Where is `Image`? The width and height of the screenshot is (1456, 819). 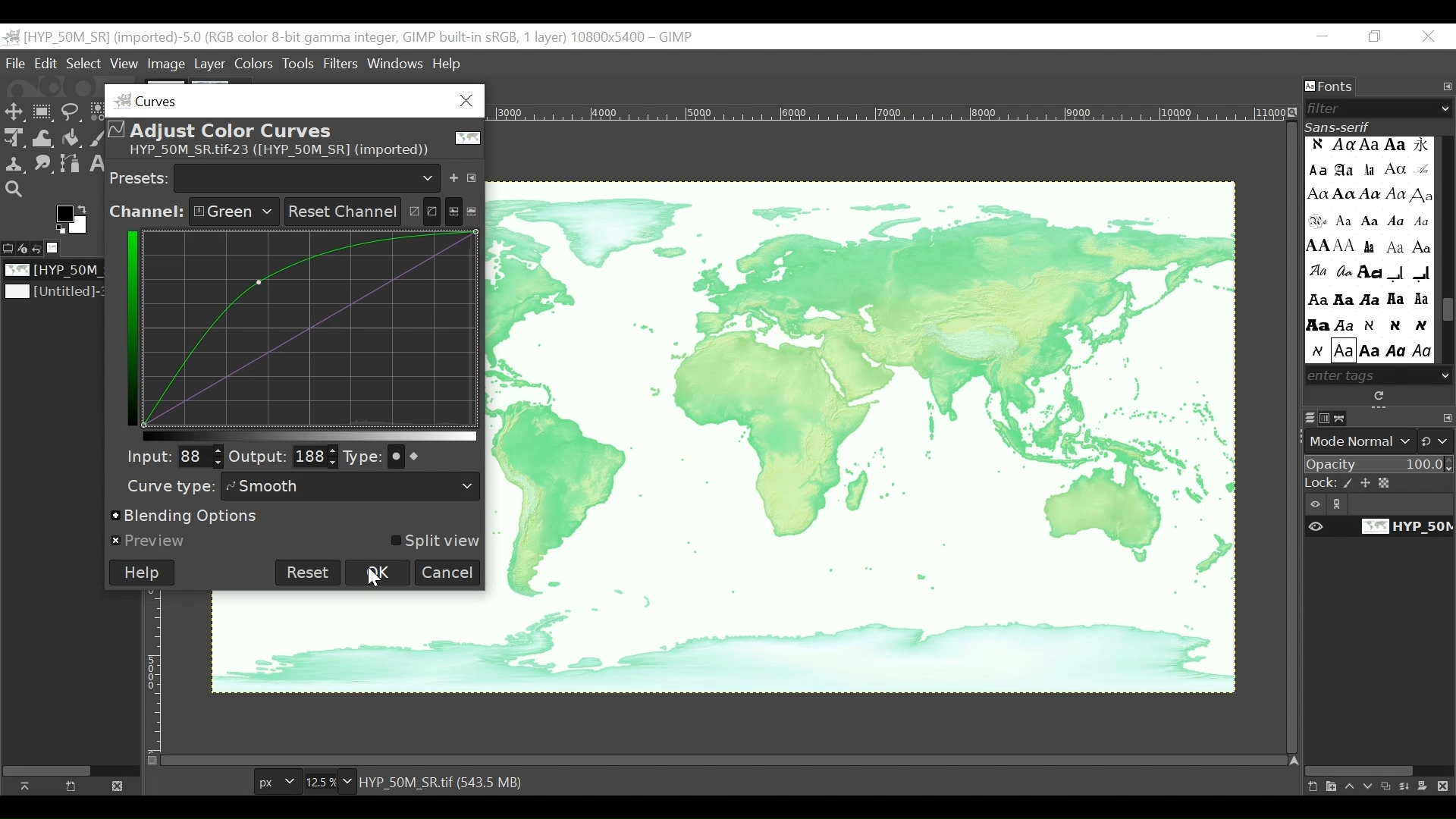
Image is located at coordinates (168, 64).